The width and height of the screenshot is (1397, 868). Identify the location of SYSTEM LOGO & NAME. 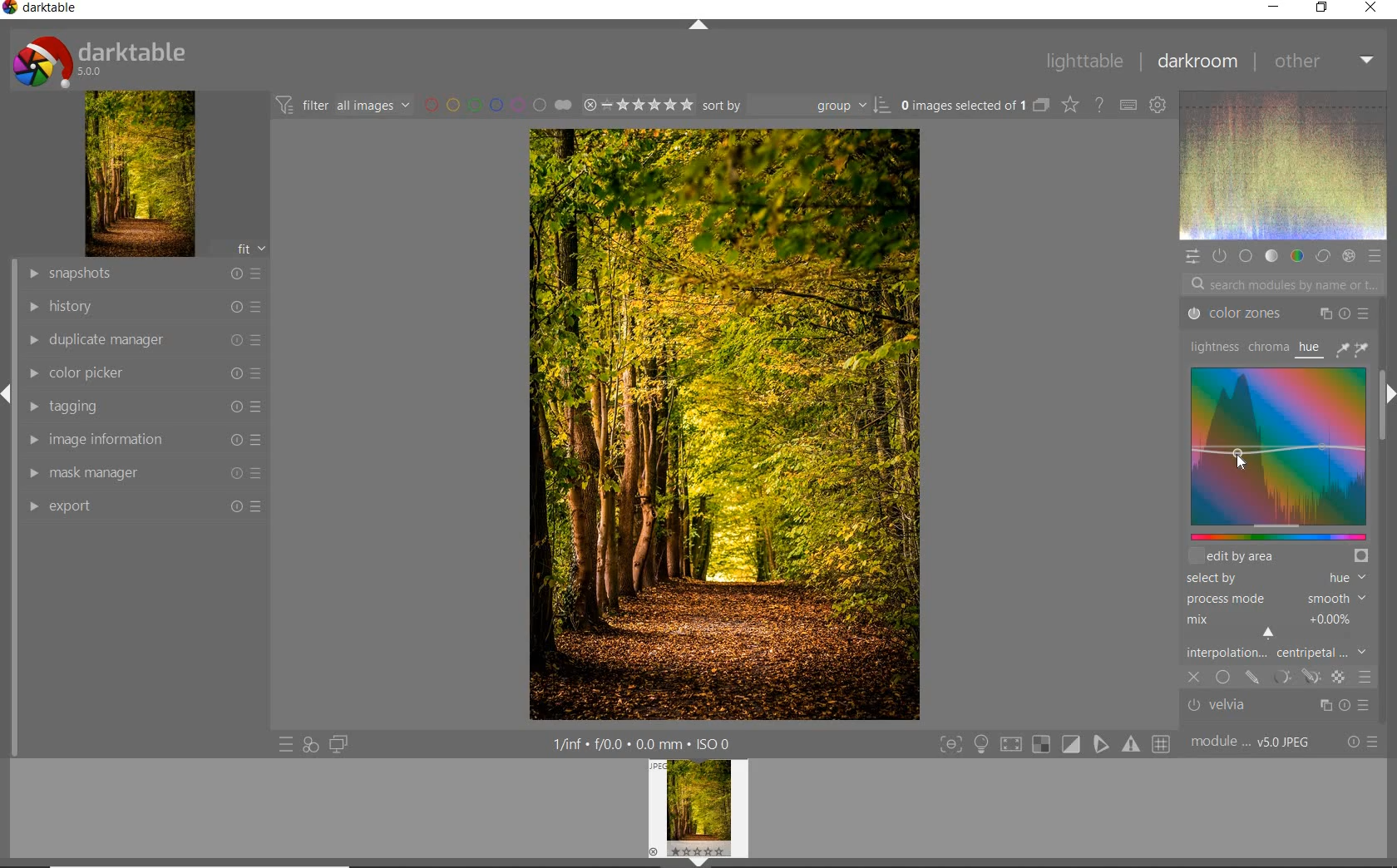
(101, 59).